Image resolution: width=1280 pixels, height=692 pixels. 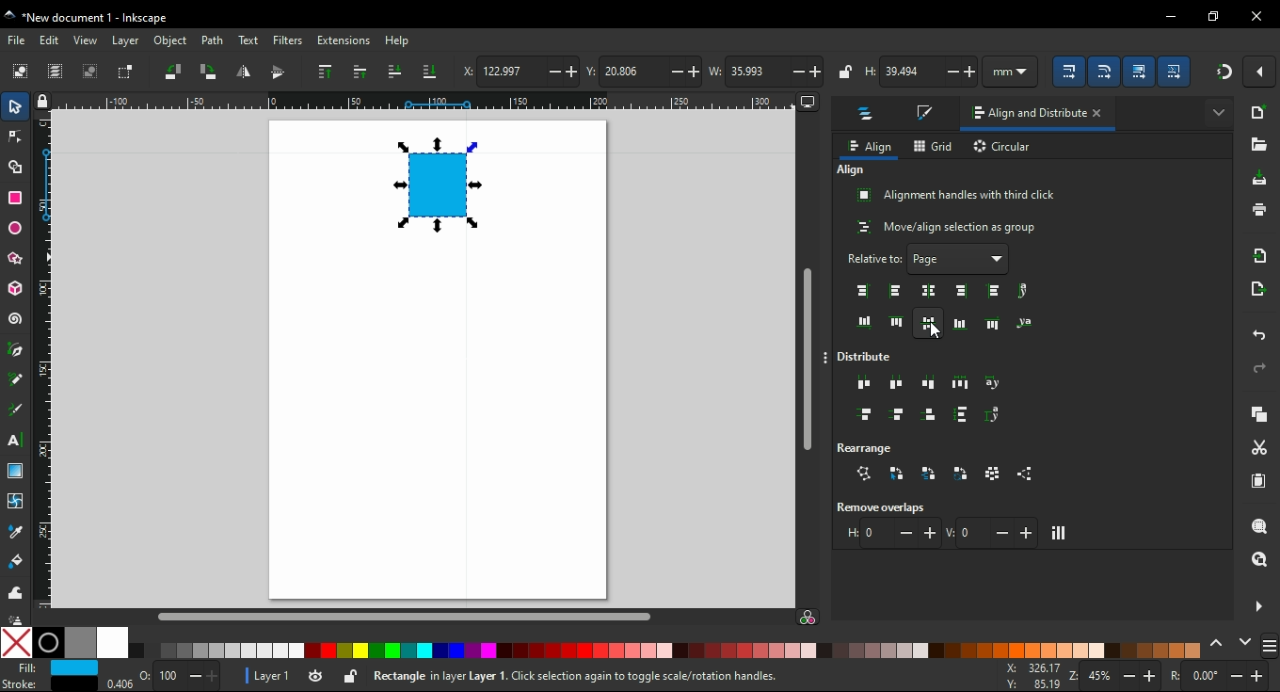 What do you see at coordinates (361, 72) in the screenshot?
I see `raise` at bounding box center [361, 72].